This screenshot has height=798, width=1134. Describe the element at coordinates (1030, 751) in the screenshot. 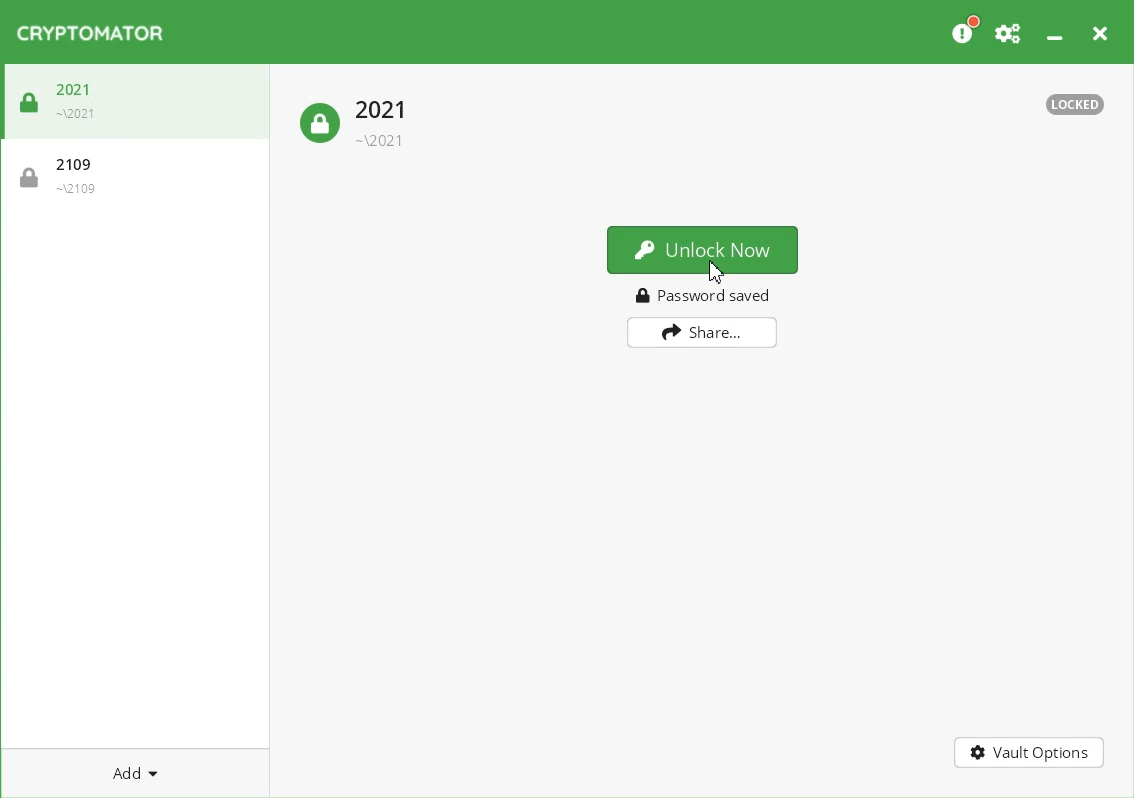

I see `Vault Options` at that location.